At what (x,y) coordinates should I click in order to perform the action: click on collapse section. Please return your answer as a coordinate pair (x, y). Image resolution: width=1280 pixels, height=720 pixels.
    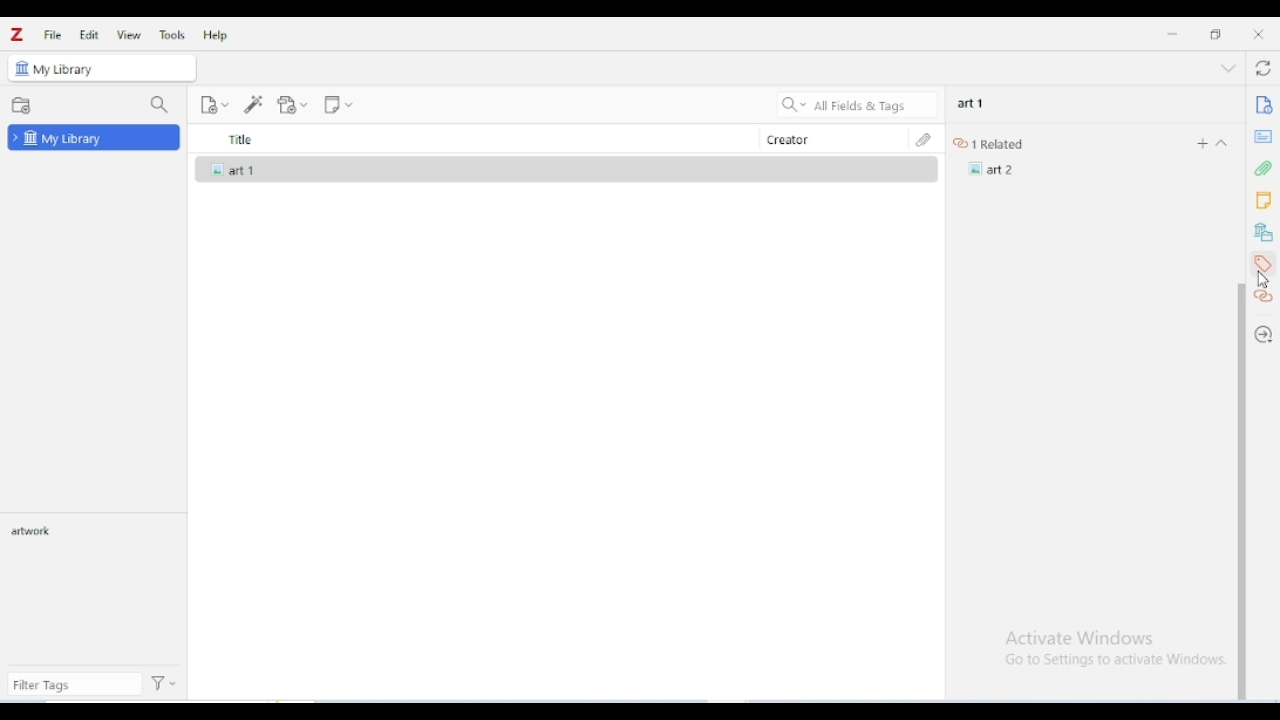
    Looking at the image, I should click on (1221, 144).